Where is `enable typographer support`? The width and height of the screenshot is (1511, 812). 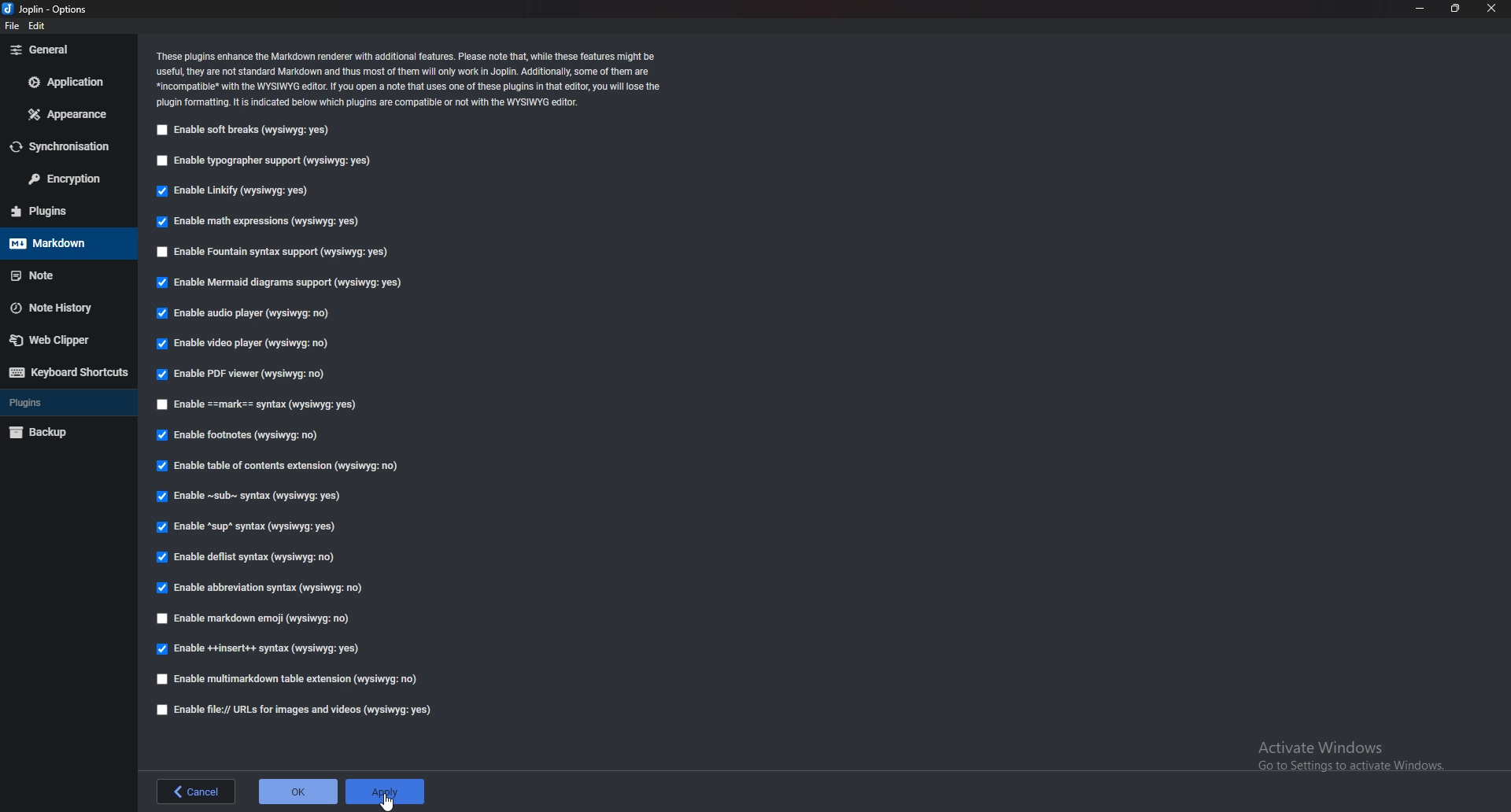
enable typographer support is located at coordinates (268, 161).